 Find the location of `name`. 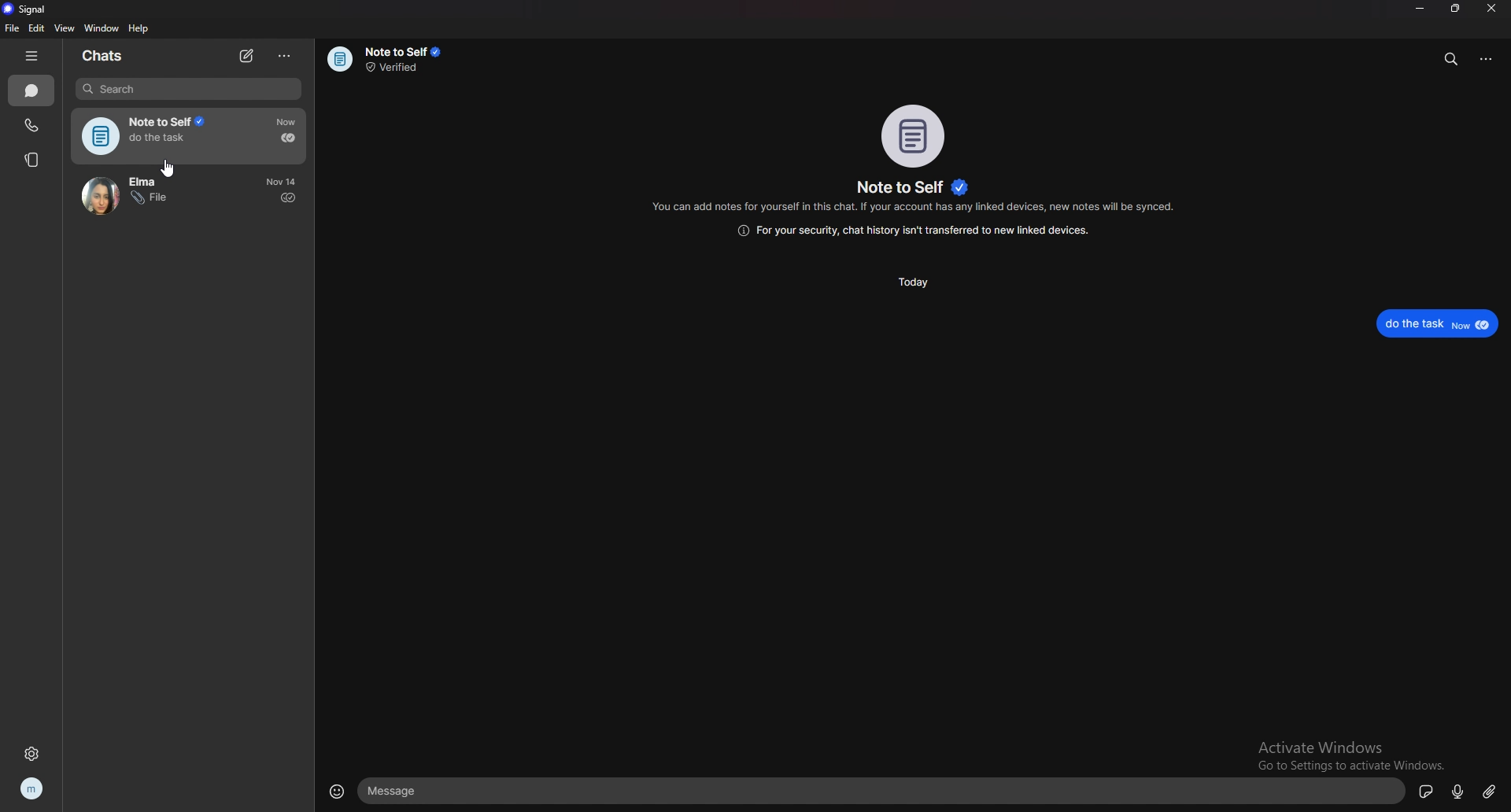

name is located at coordinates (918, 186).